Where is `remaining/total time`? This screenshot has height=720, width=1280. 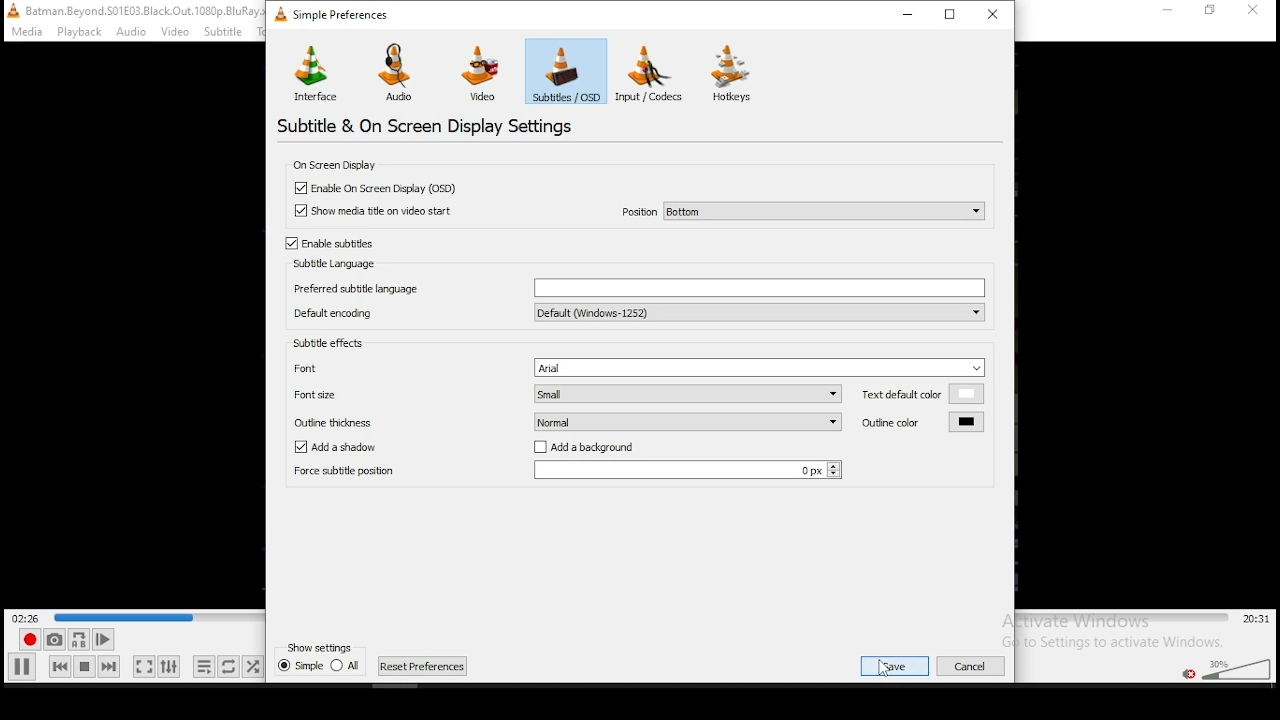
remaining/total time is located at coordinates (1257, 619).